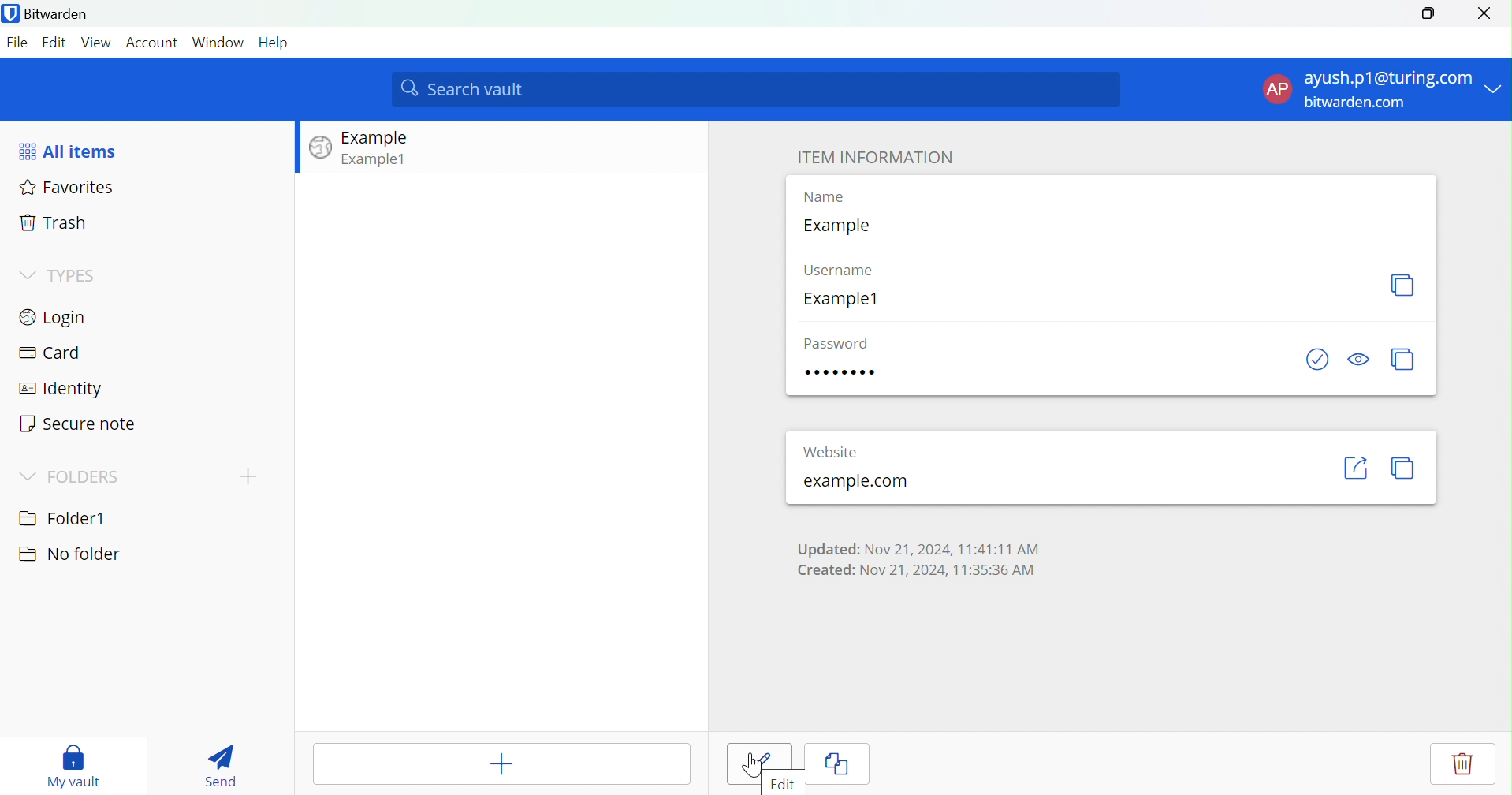 This screenshot has height=795, width=1512. What do you see at coordinates (27, 476) in the screenshot?
I see `Drop Down` at bounding box center [27, 476].